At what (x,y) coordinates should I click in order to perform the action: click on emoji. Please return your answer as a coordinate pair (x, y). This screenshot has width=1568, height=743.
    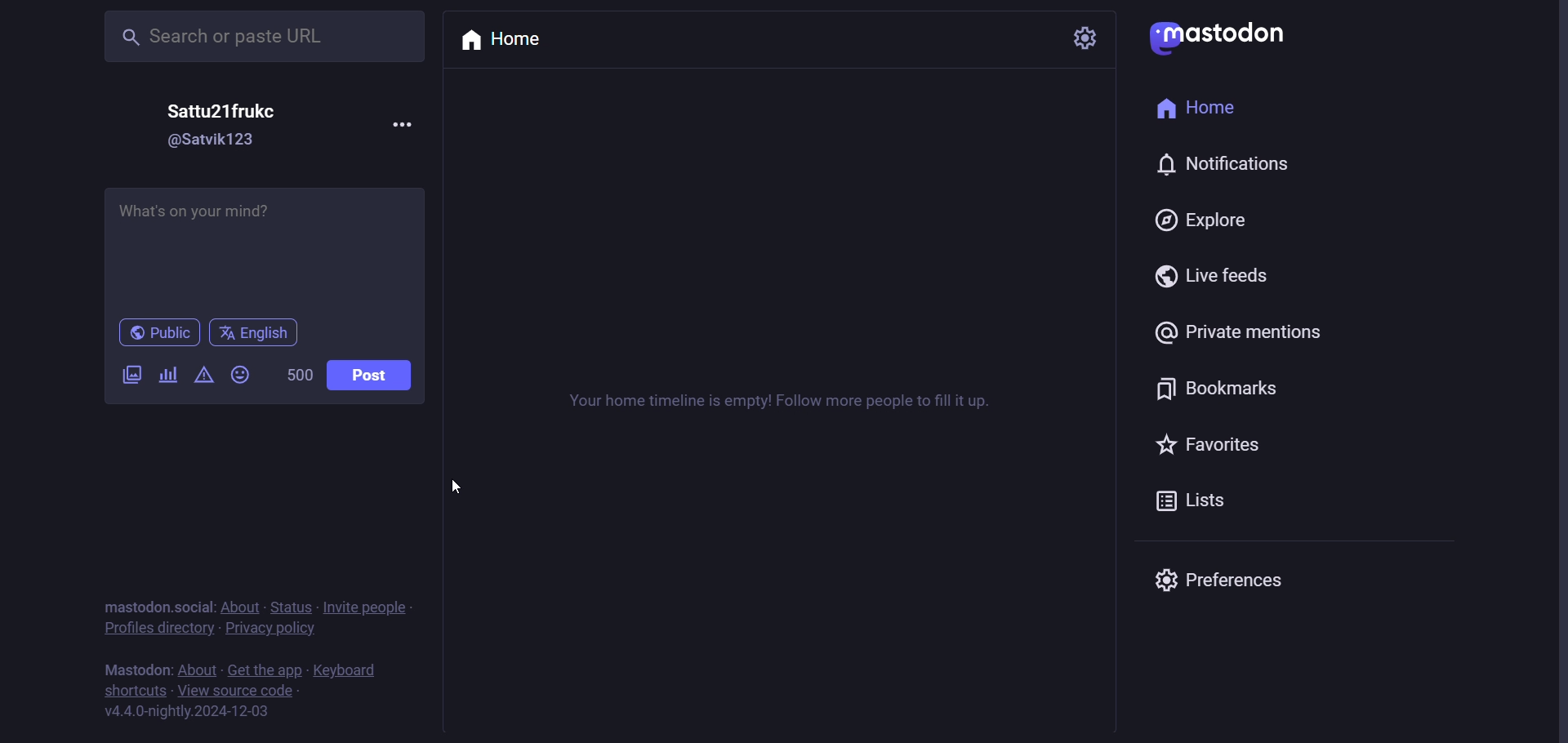
    Looking at the image, I should click on (241, 376).